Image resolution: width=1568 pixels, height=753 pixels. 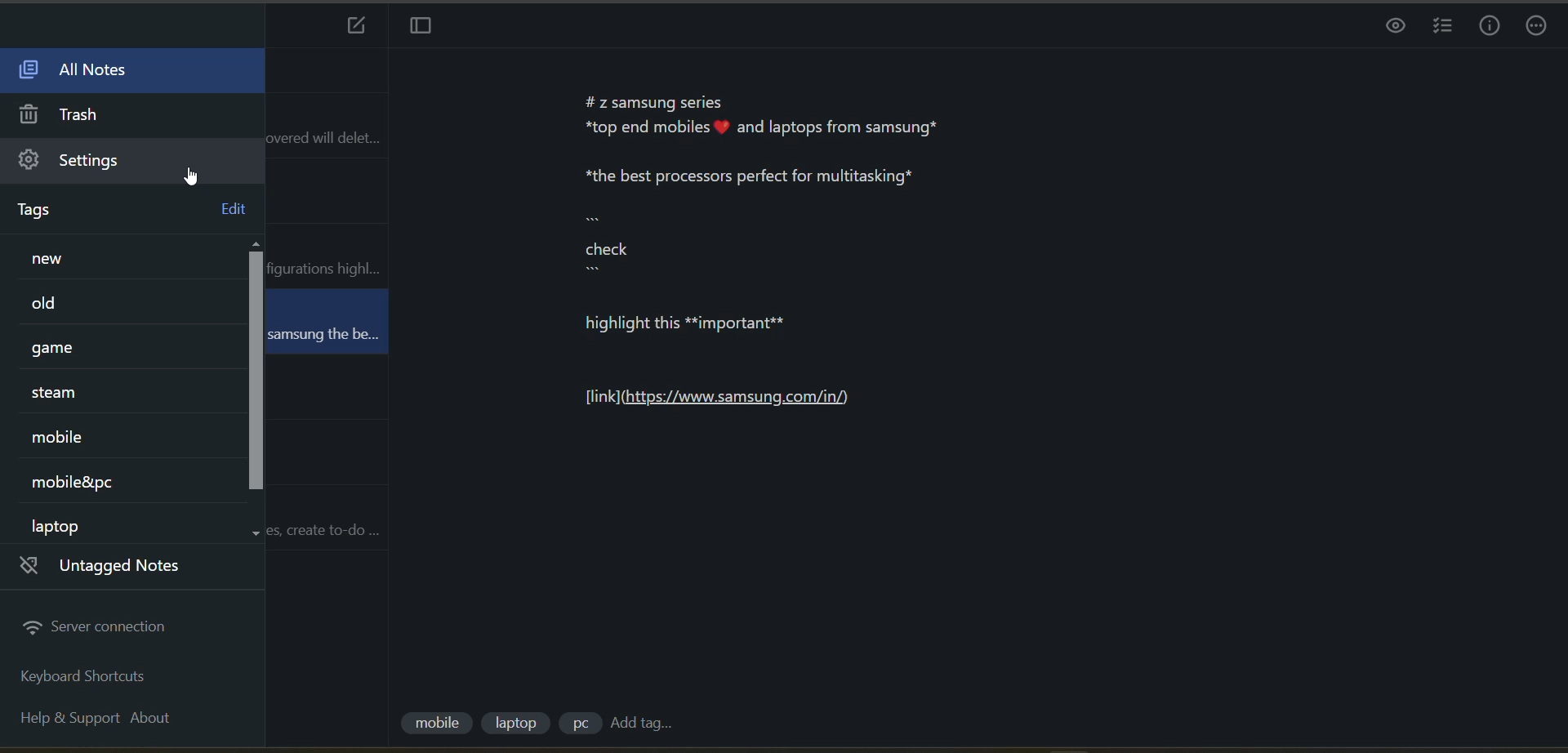 What do you see at coordinates (47, 211) in the screenshot?
I see `tags` at bounding box center [47, 211].